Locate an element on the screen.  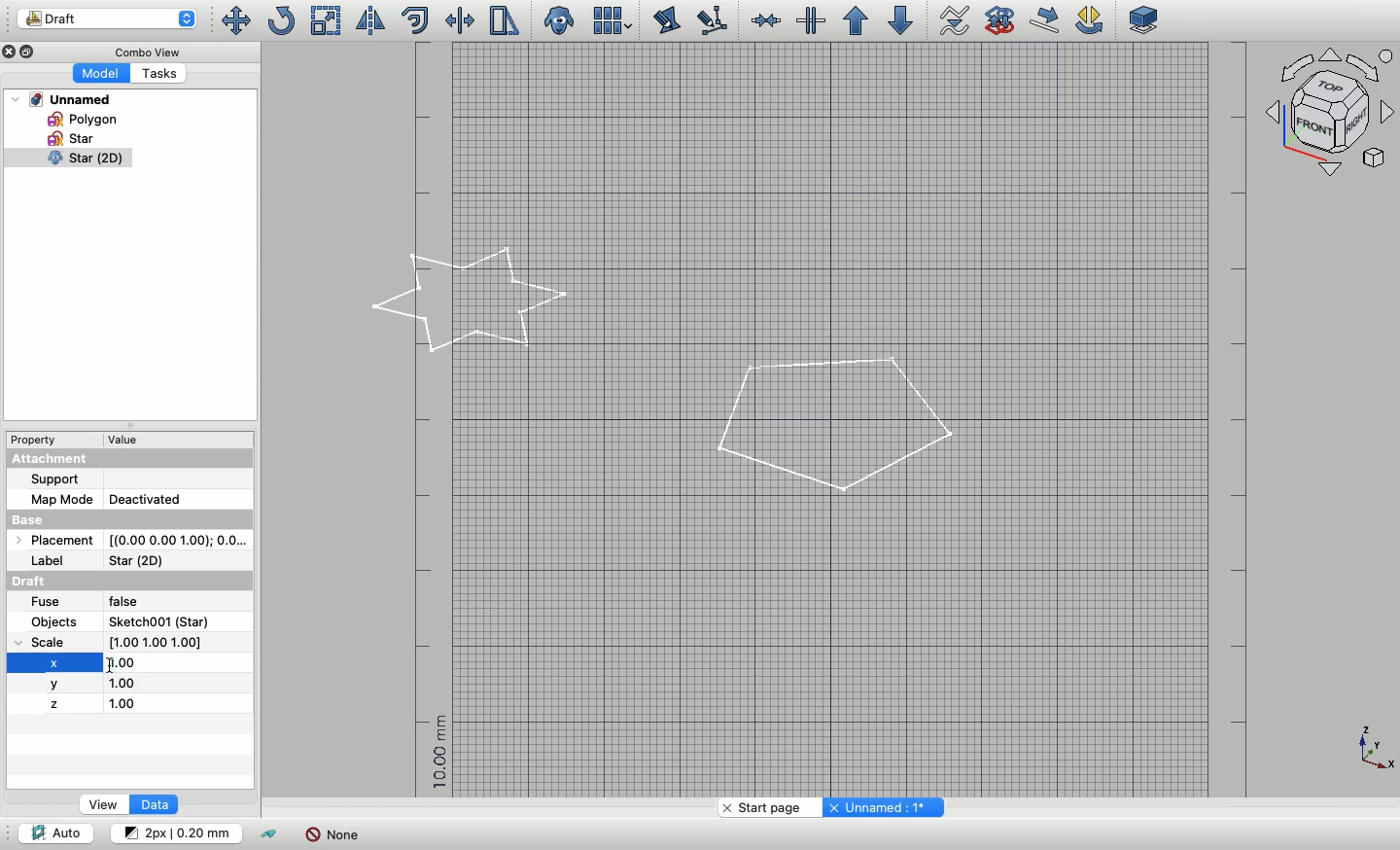
[(0.00 0.00 1.00); 0.0.. is located at coordinates (177, 541).